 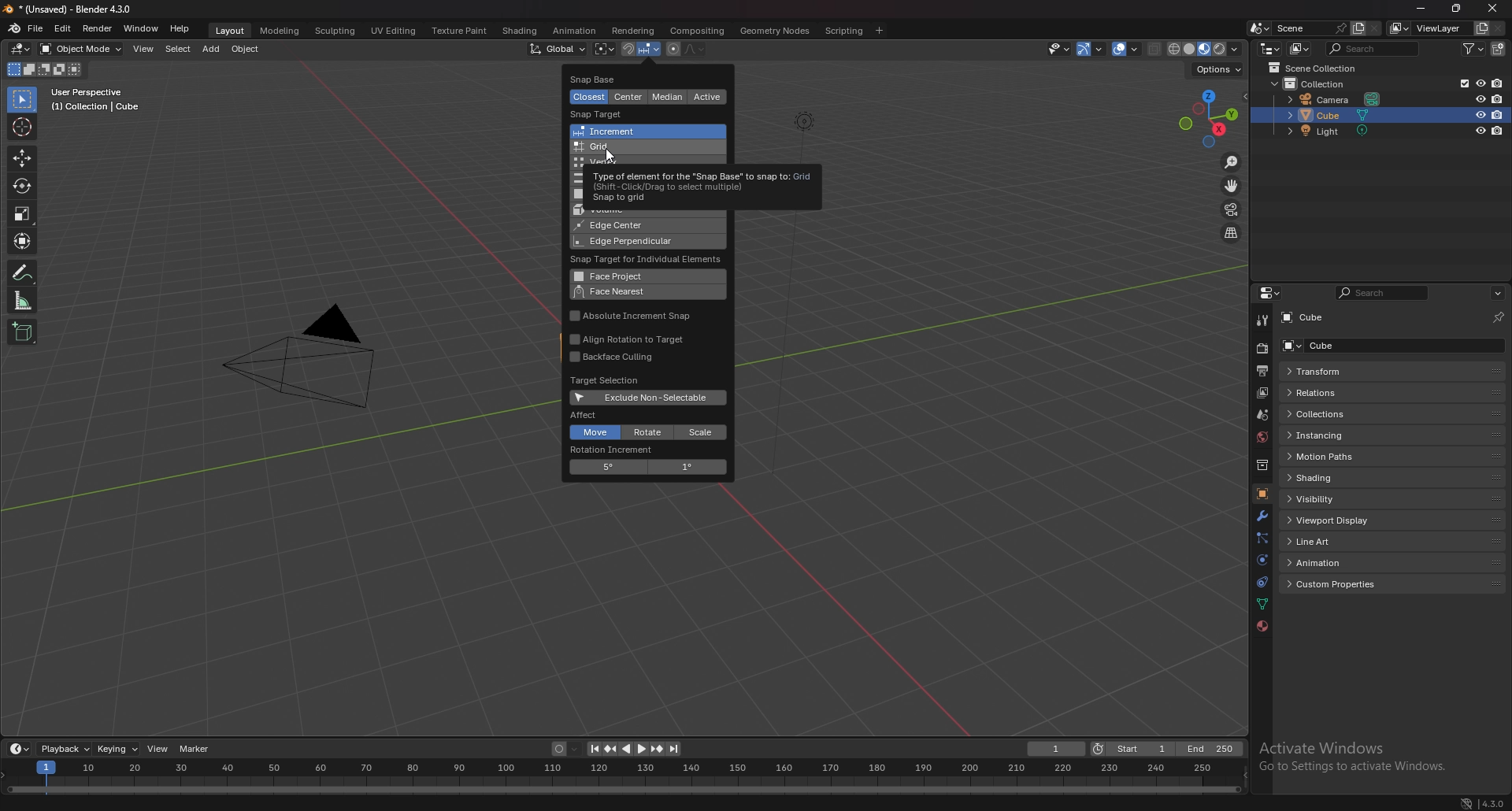 What do you see at coordinates (1269, 47) in the screenshot?
I see `editor type` at bounding box center [1269, 47].